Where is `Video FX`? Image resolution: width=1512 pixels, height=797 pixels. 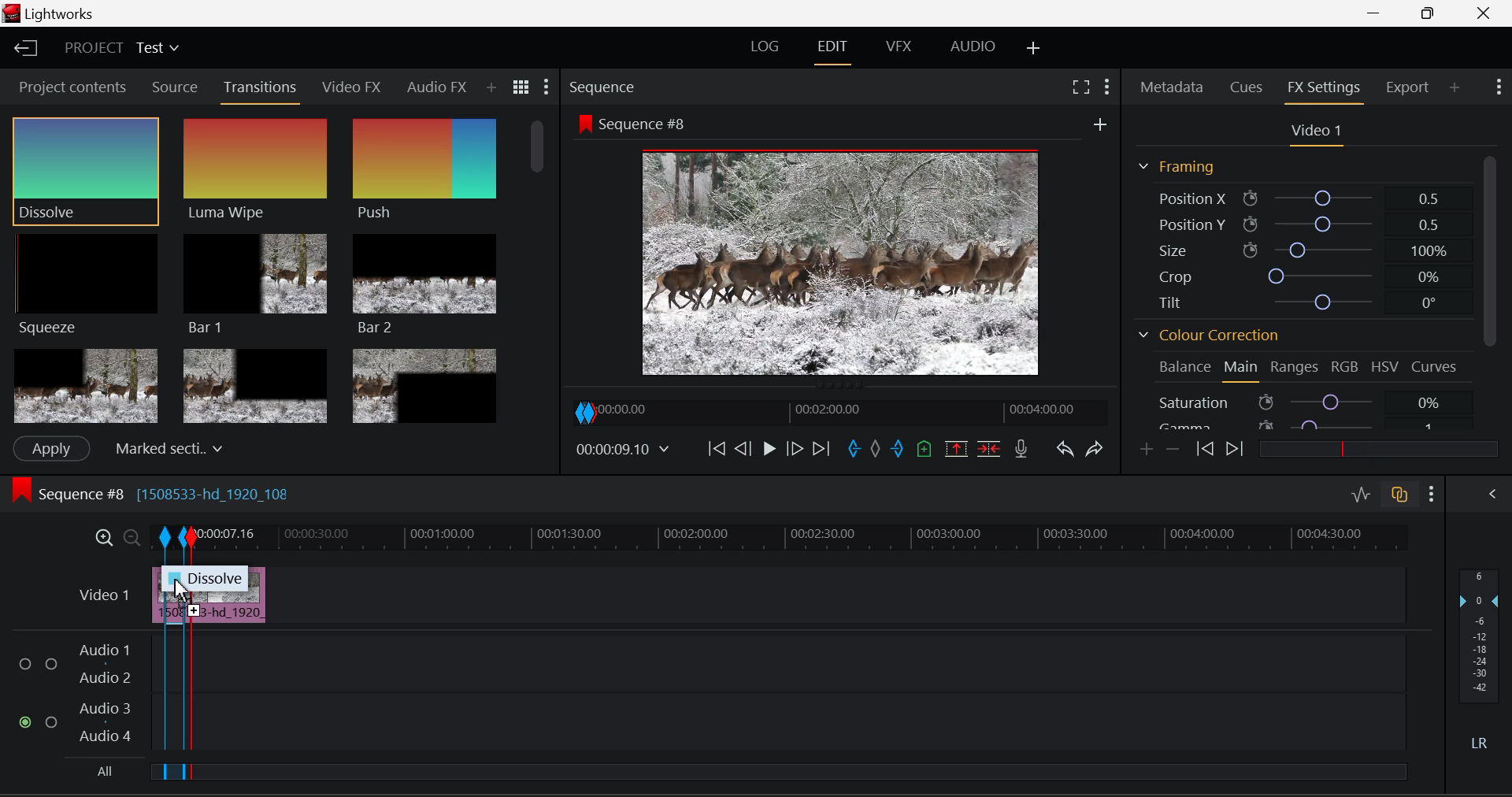 Video FX is located at coordinates (353, 89).